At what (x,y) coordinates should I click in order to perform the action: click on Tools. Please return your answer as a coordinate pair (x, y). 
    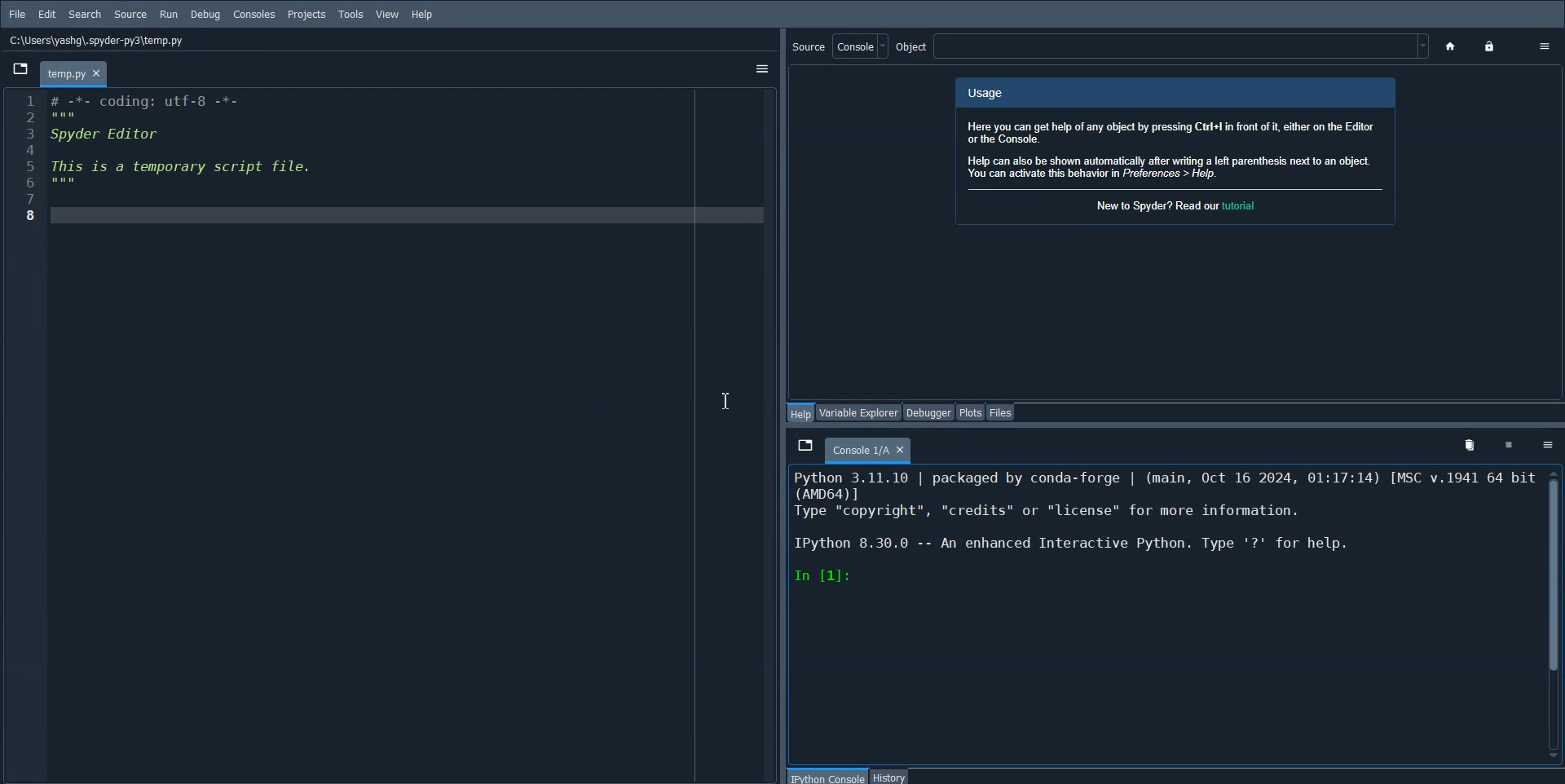
    Looking at the image, I should click on (350, 15).